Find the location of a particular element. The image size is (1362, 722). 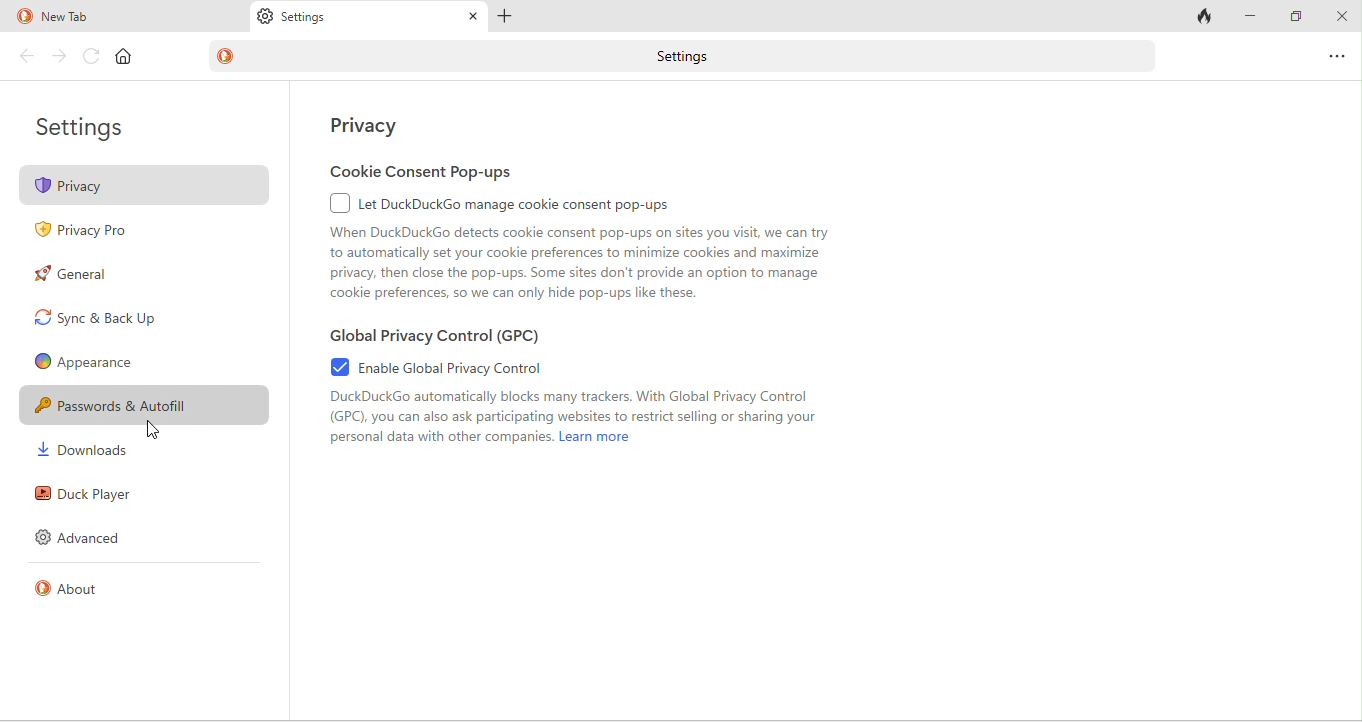

downloads is located at coordinates (88, 452).